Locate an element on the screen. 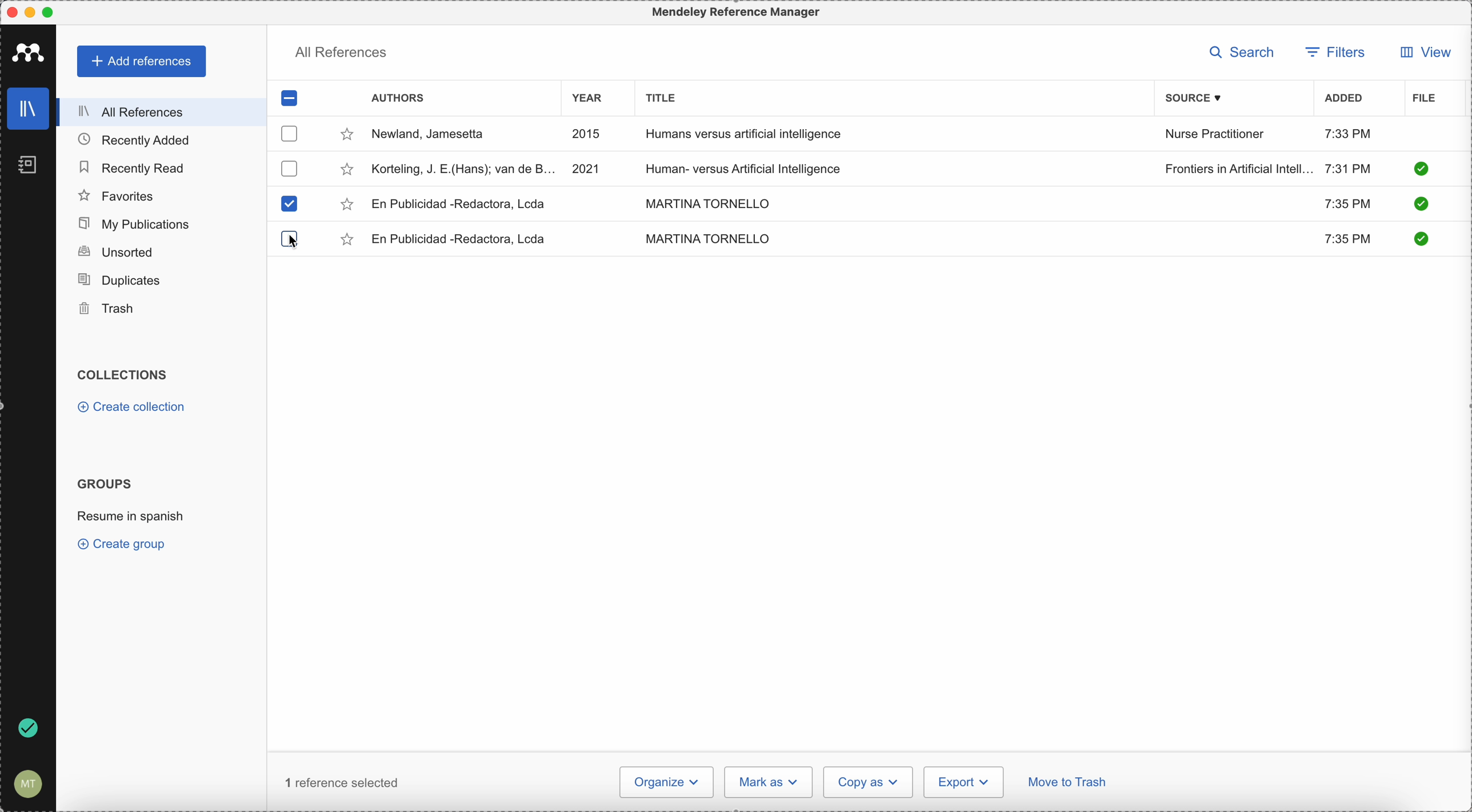  Newland, Jamesetta is located at coordinates (434, 135).